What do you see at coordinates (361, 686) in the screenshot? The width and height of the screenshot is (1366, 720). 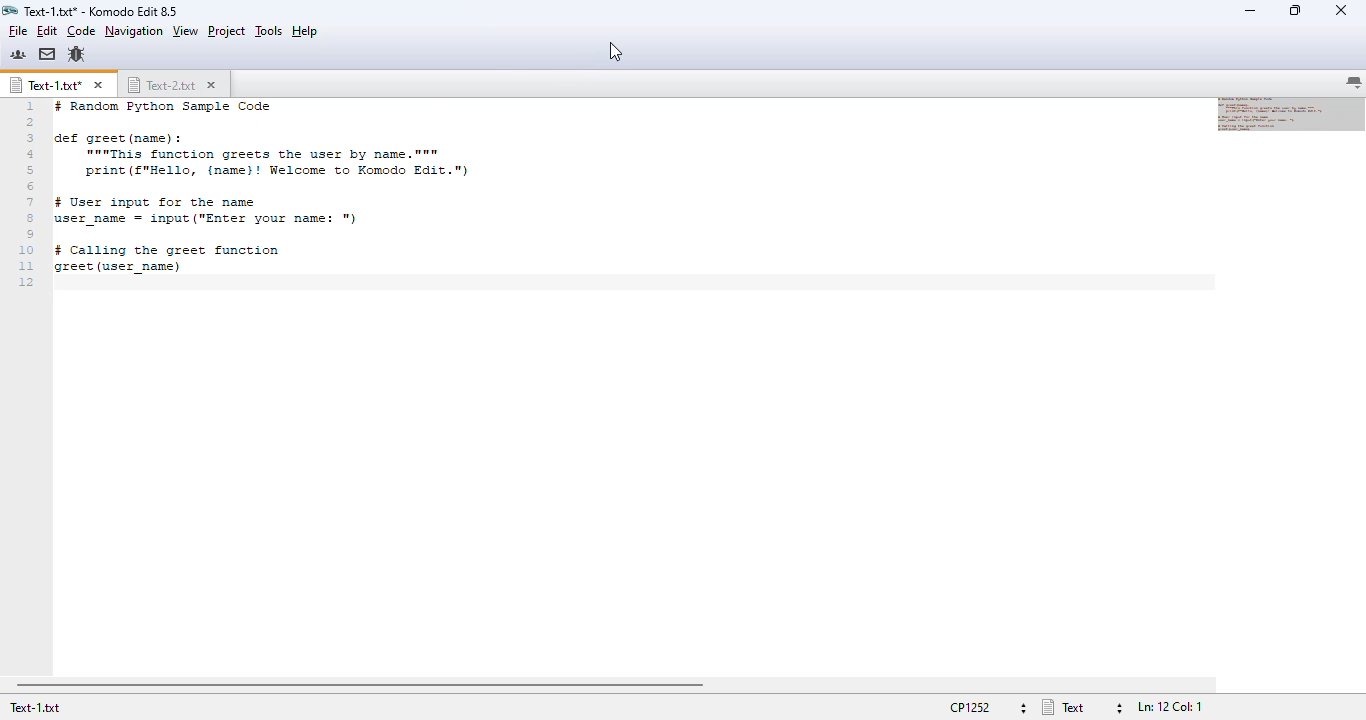 I see `horizontal scroll bar` at bounding box center [361, 686].